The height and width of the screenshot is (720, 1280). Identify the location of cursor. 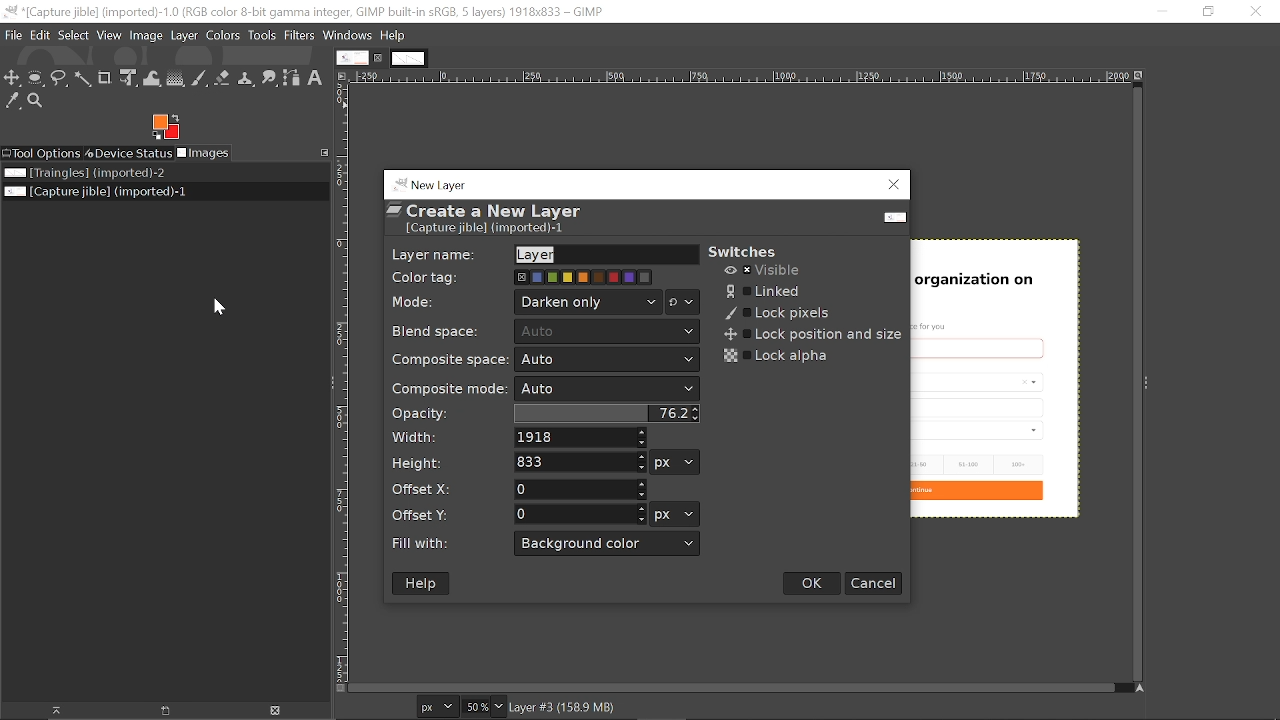
(191, 47).